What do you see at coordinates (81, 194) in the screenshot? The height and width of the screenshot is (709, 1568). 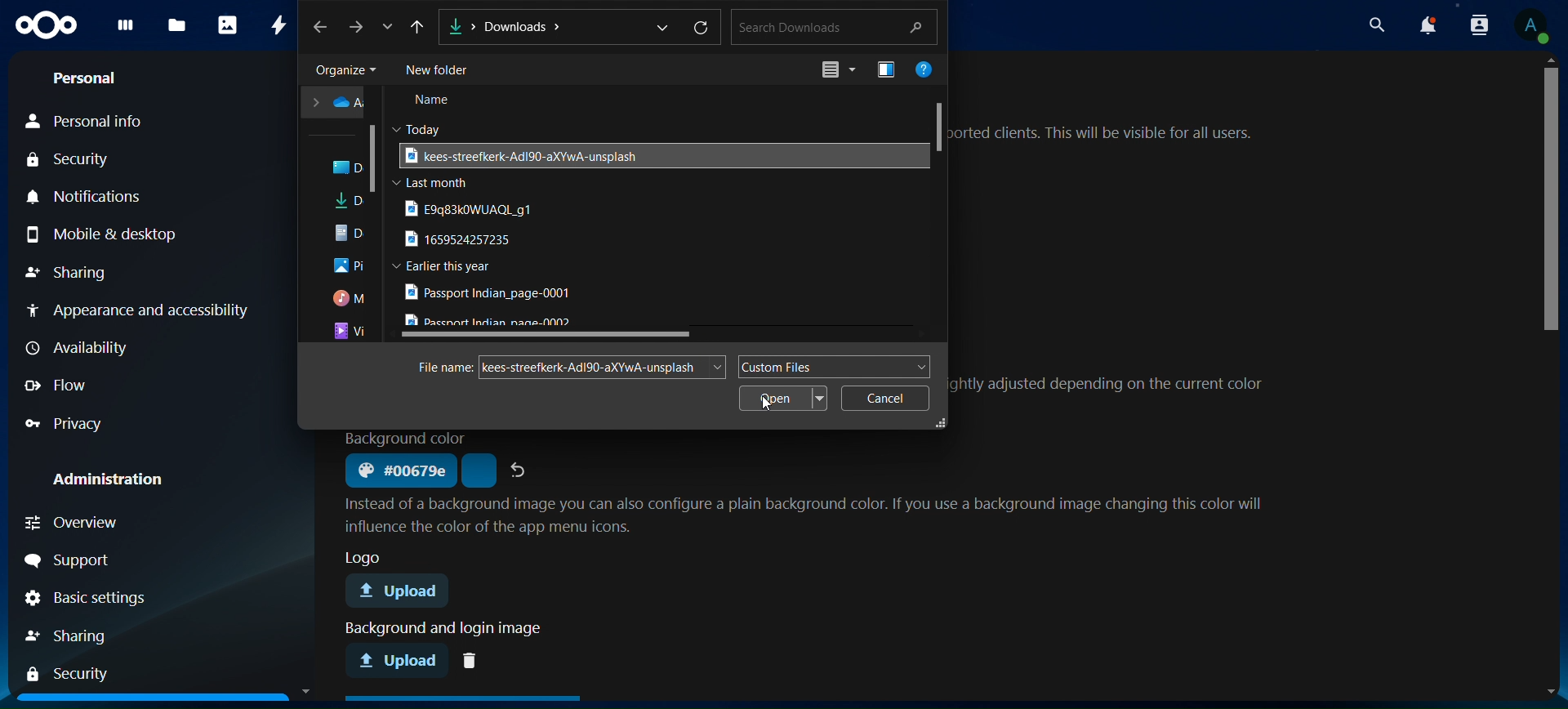 I see `notifications` at bounding box center [81, 194].